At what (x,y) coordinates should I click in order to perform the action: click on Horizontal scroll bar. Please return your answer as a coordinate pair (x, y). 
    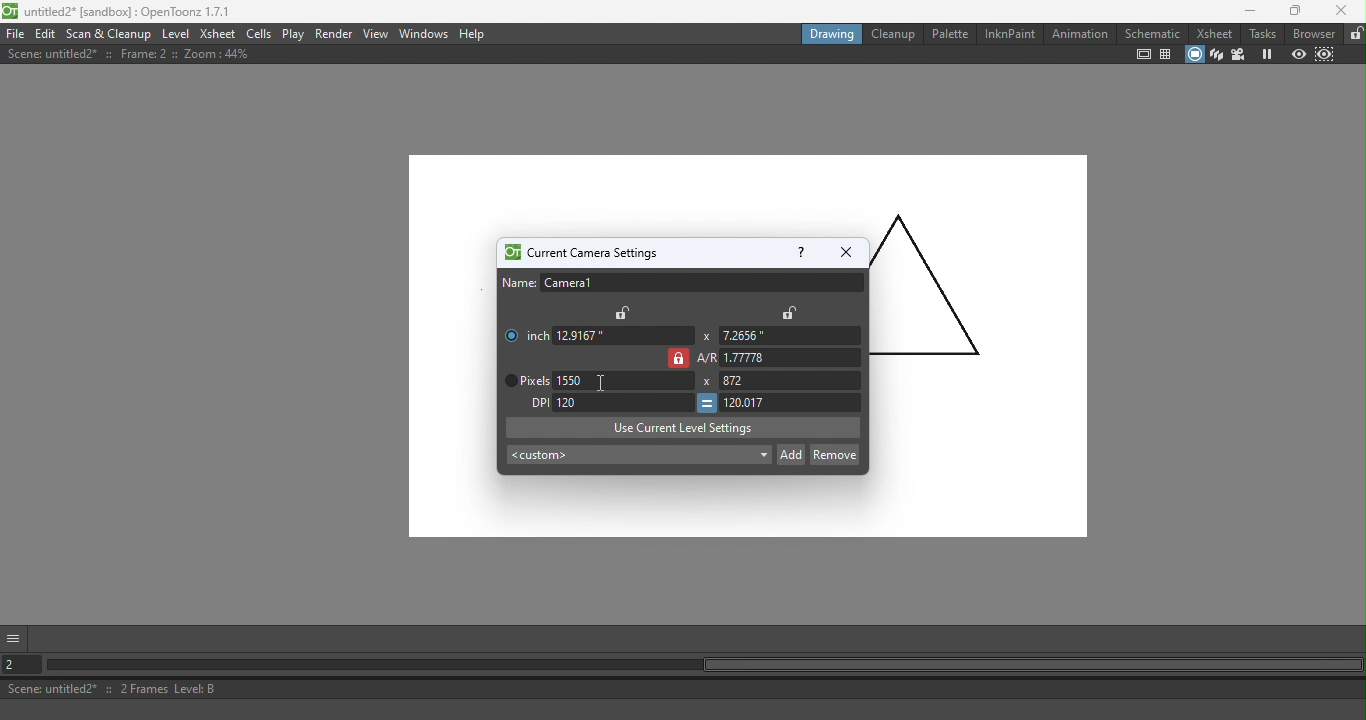
    Looking at the image, I should click on (704, 666).